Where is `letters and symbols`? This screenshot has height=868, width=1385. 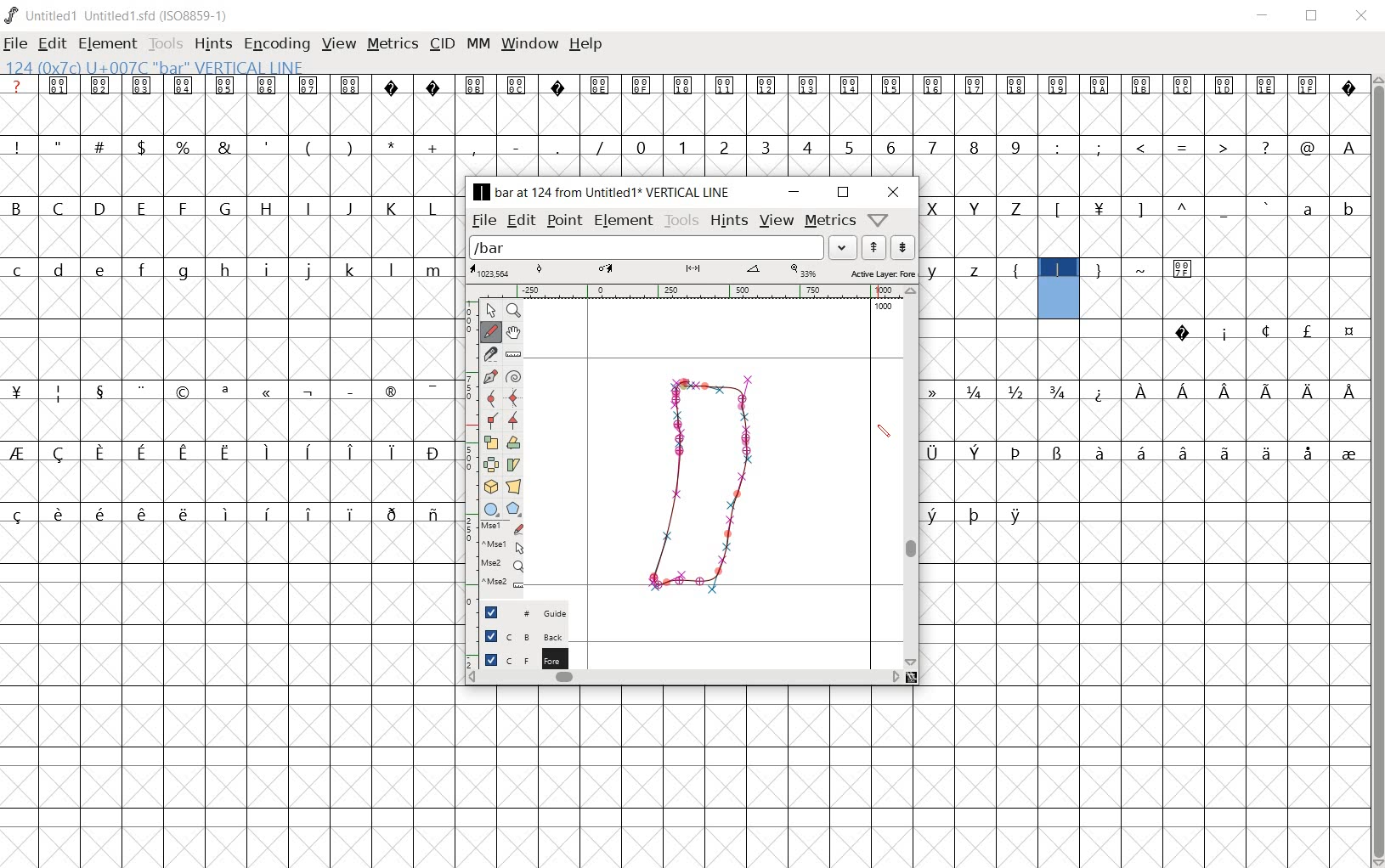
letters and symbols is located at coordinates (1144, 206).